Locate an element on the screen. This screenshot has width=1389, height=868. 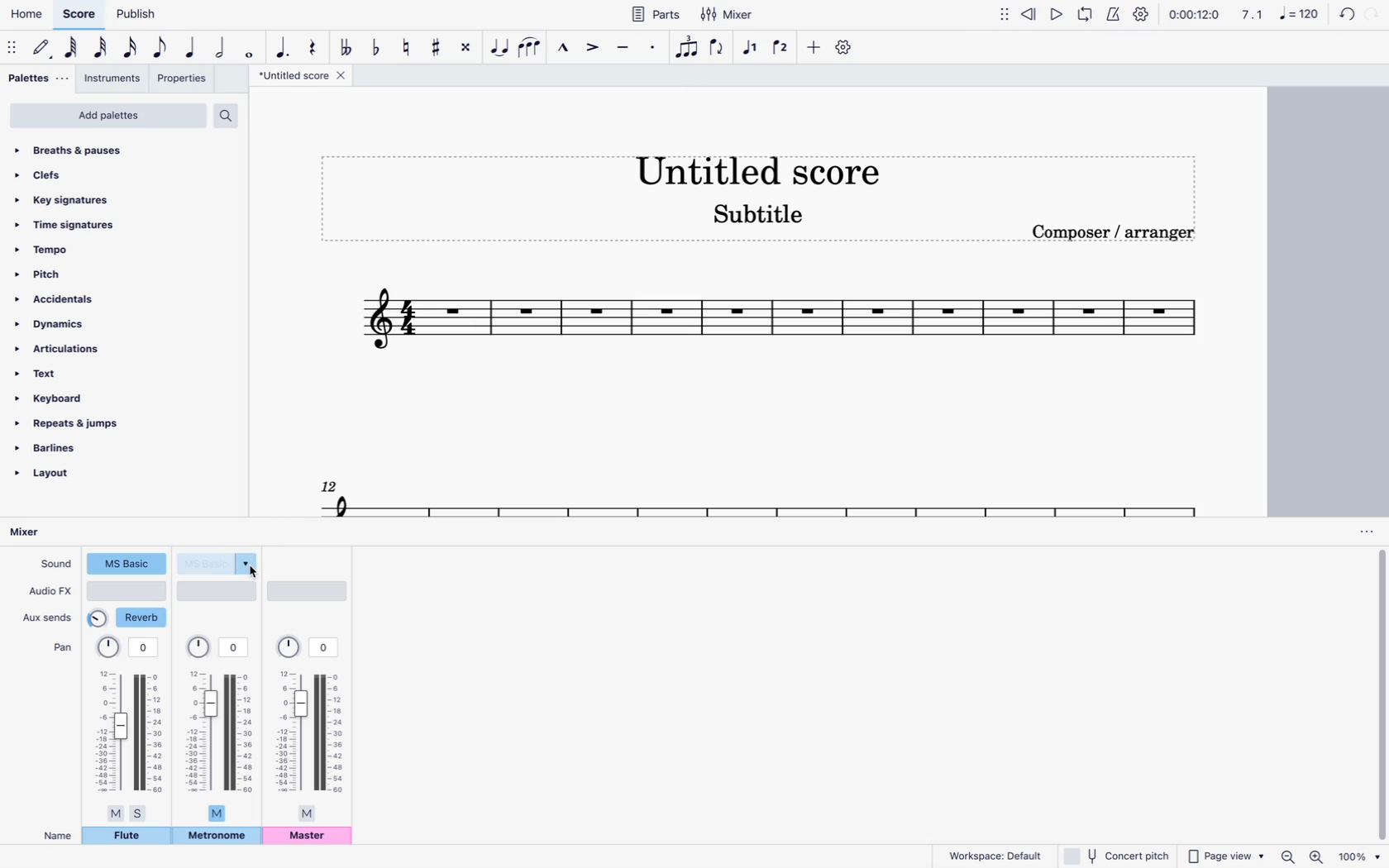
page view is located at coordinates (1224, 856).